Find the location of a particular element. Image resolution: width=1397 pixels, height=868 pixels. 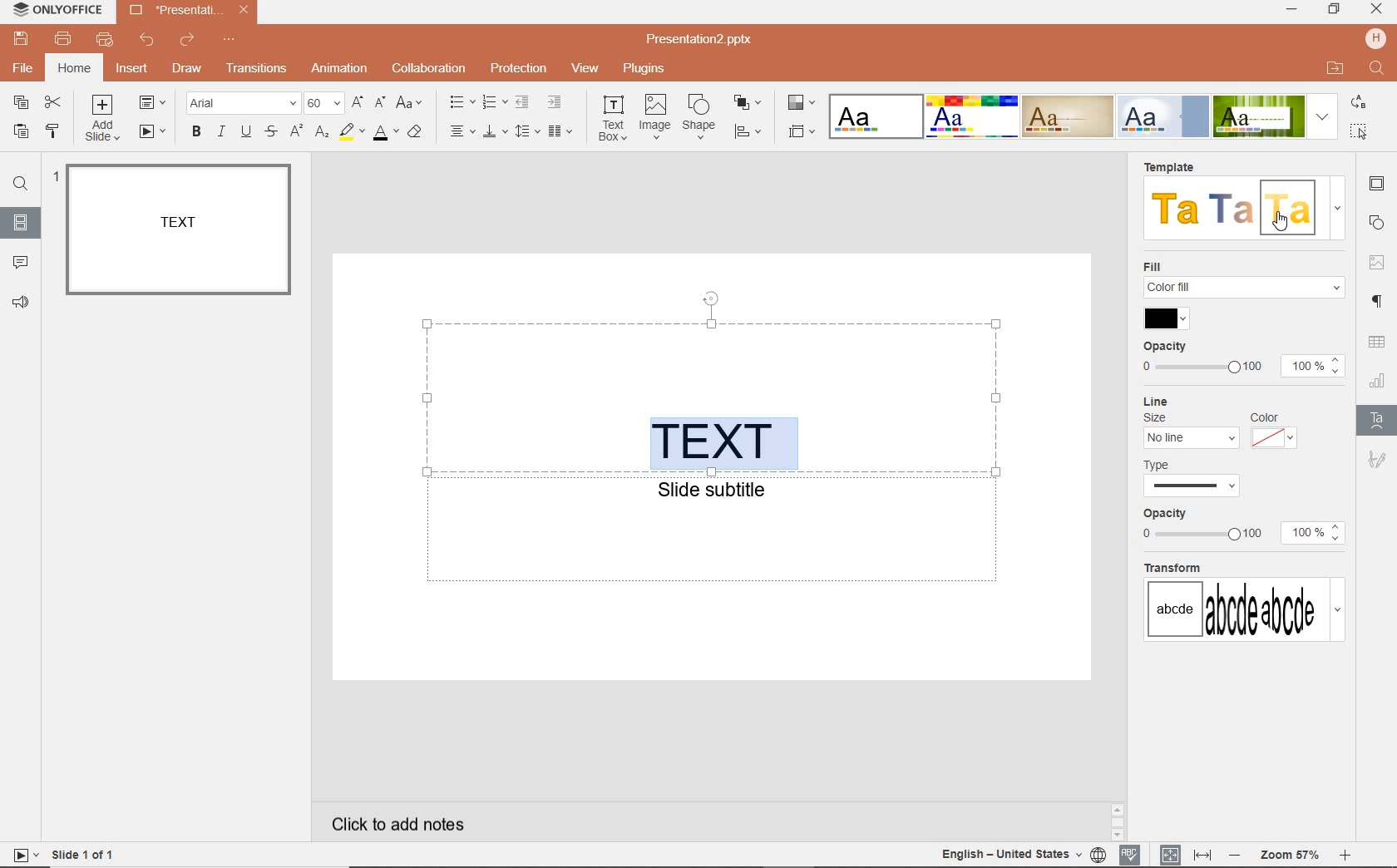

SLIDE 1 OF 1 is located at coordinates (83, 853).